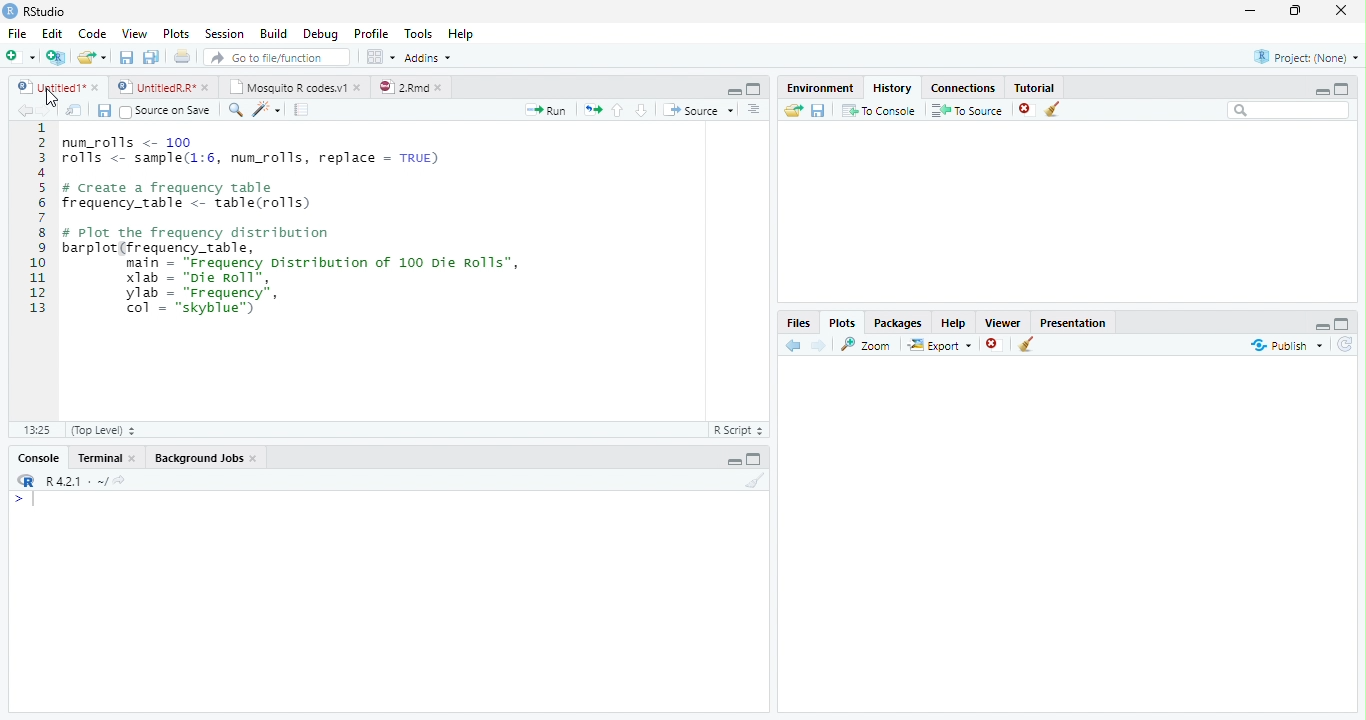  What do you see at coordinates (1321, 91) in the screenshot?
I see `Minimize Height` at bounding box center [1321, 91].